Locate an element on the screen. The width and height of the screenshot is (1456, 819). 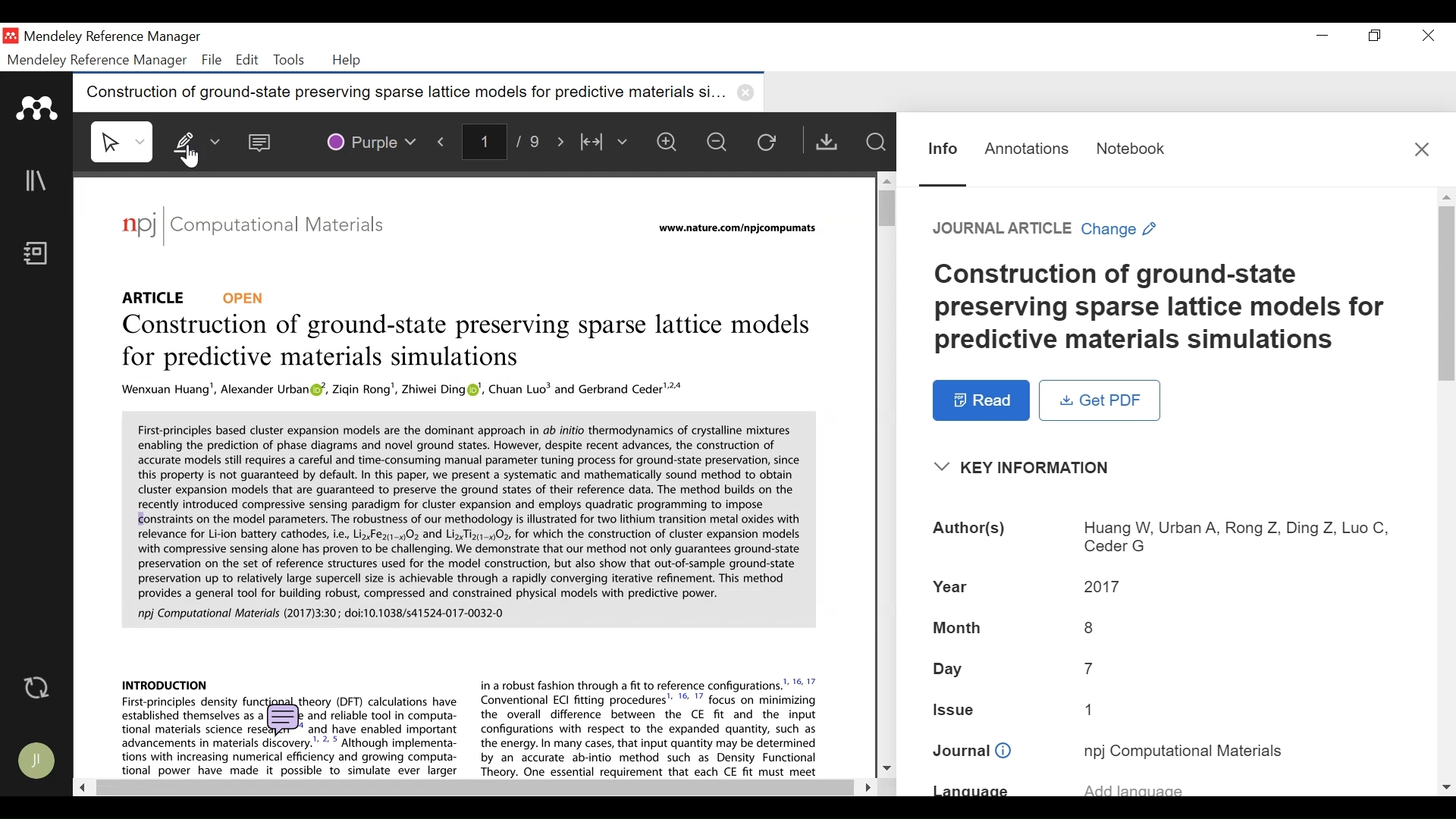
Close is located at coordinates (1425, 36).